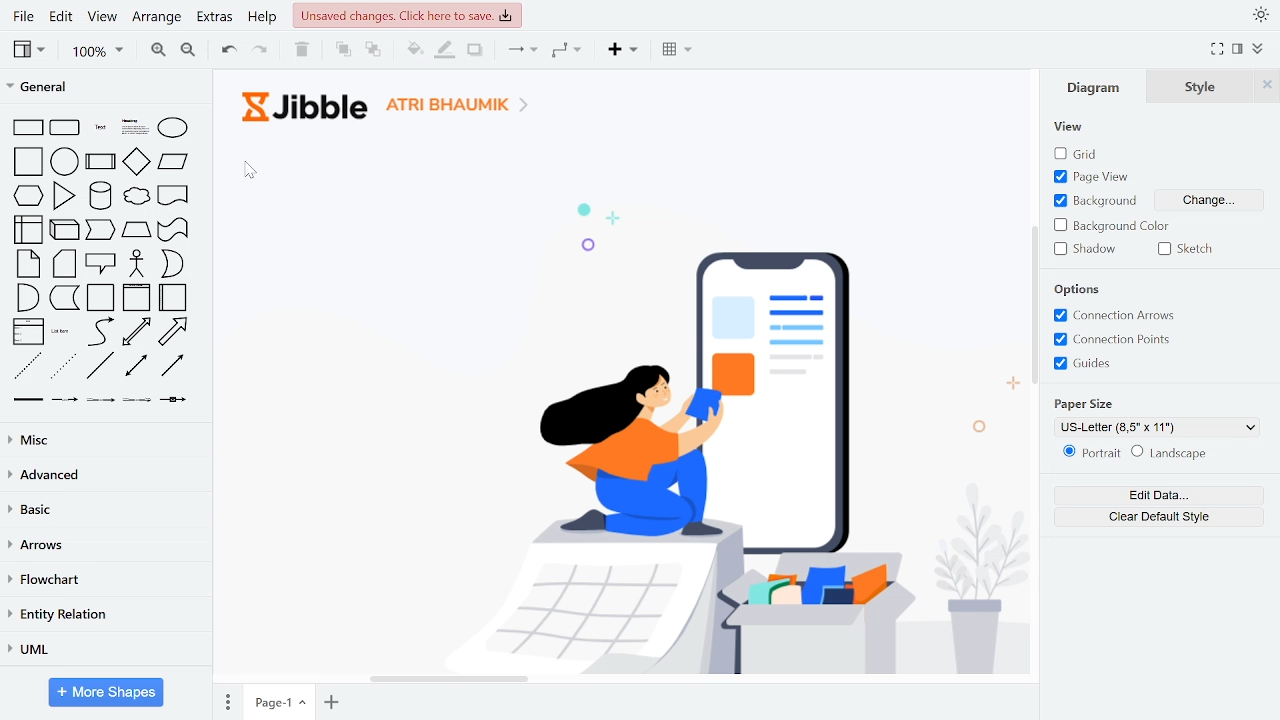 Image resolution: width=1280 pixels, height=720 pixels. I want to click on shadow, so click(477, 51).